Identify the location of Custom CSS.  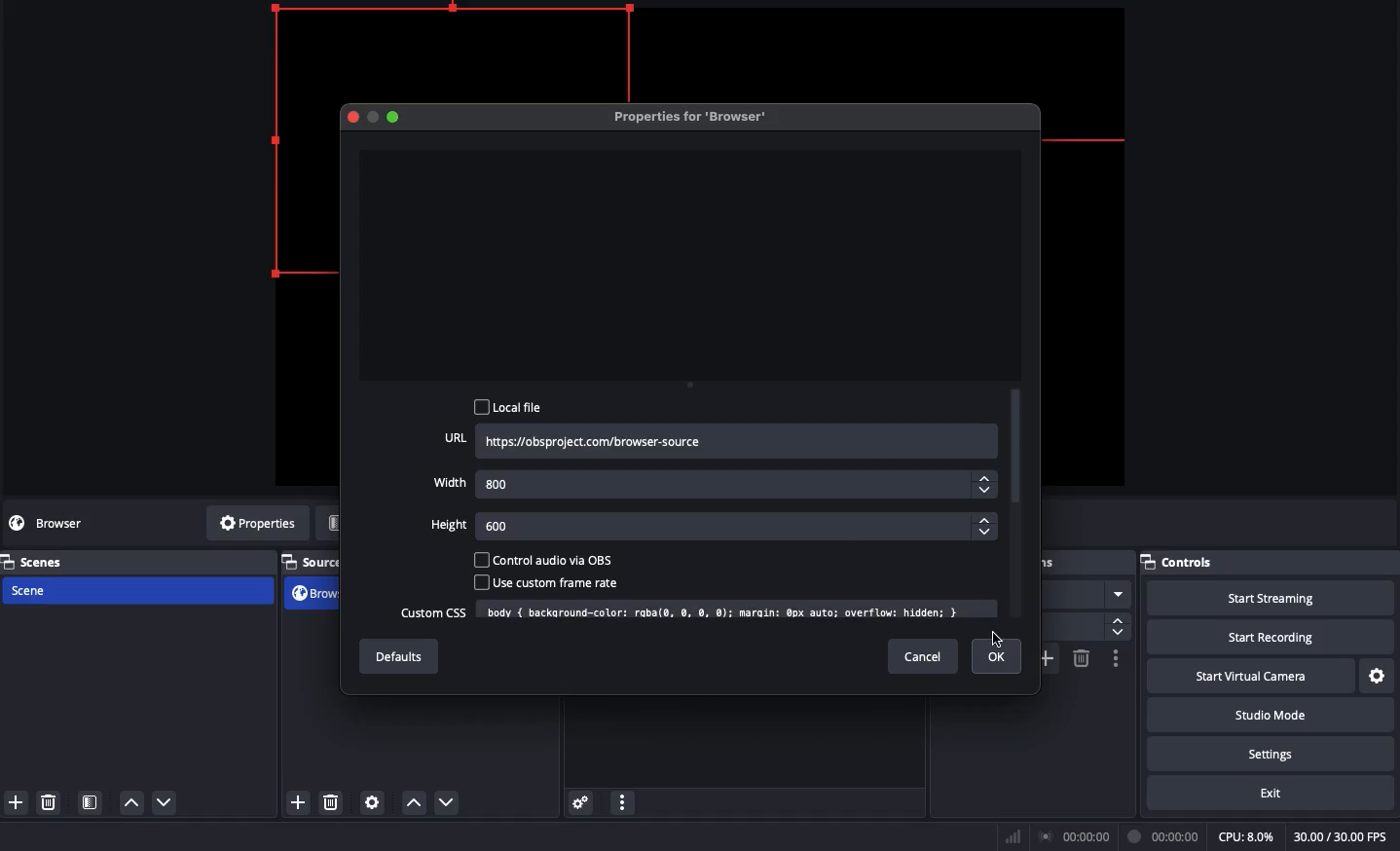
(695, 612).